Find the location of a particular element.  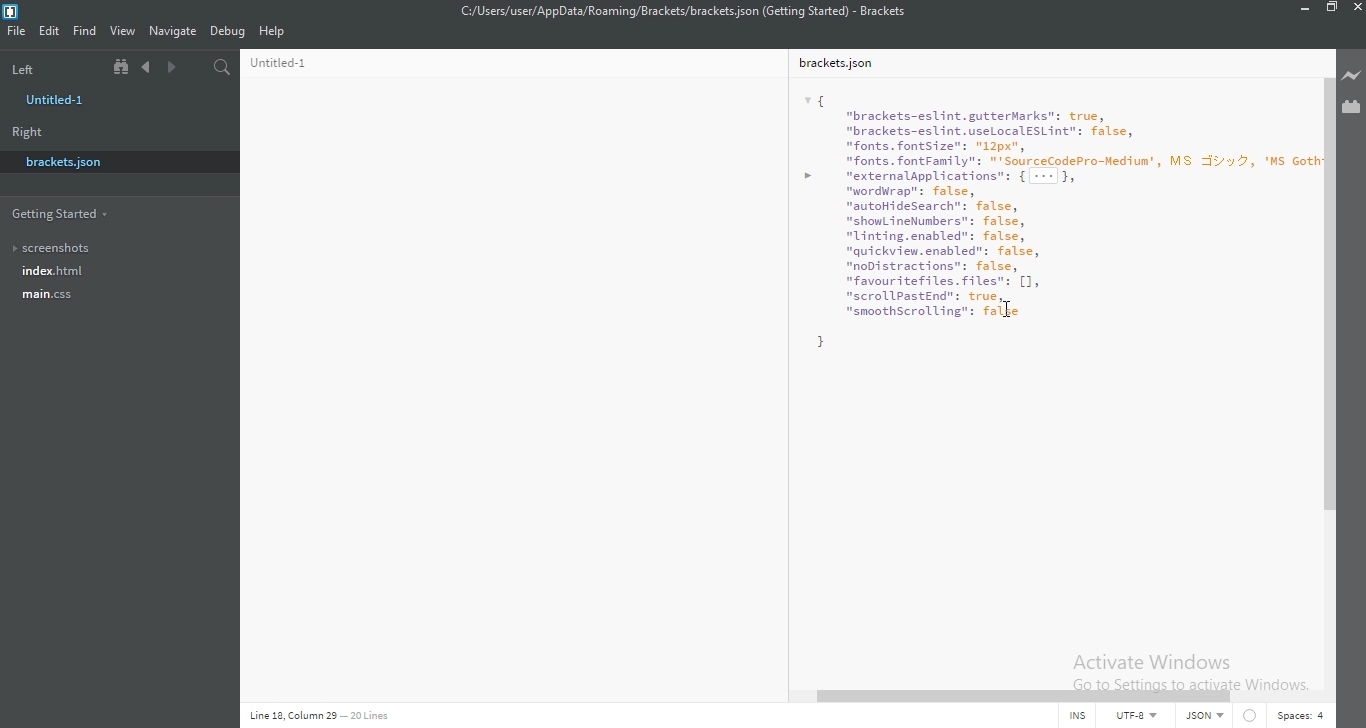

Show file tree is located at coordinates (123, 67).